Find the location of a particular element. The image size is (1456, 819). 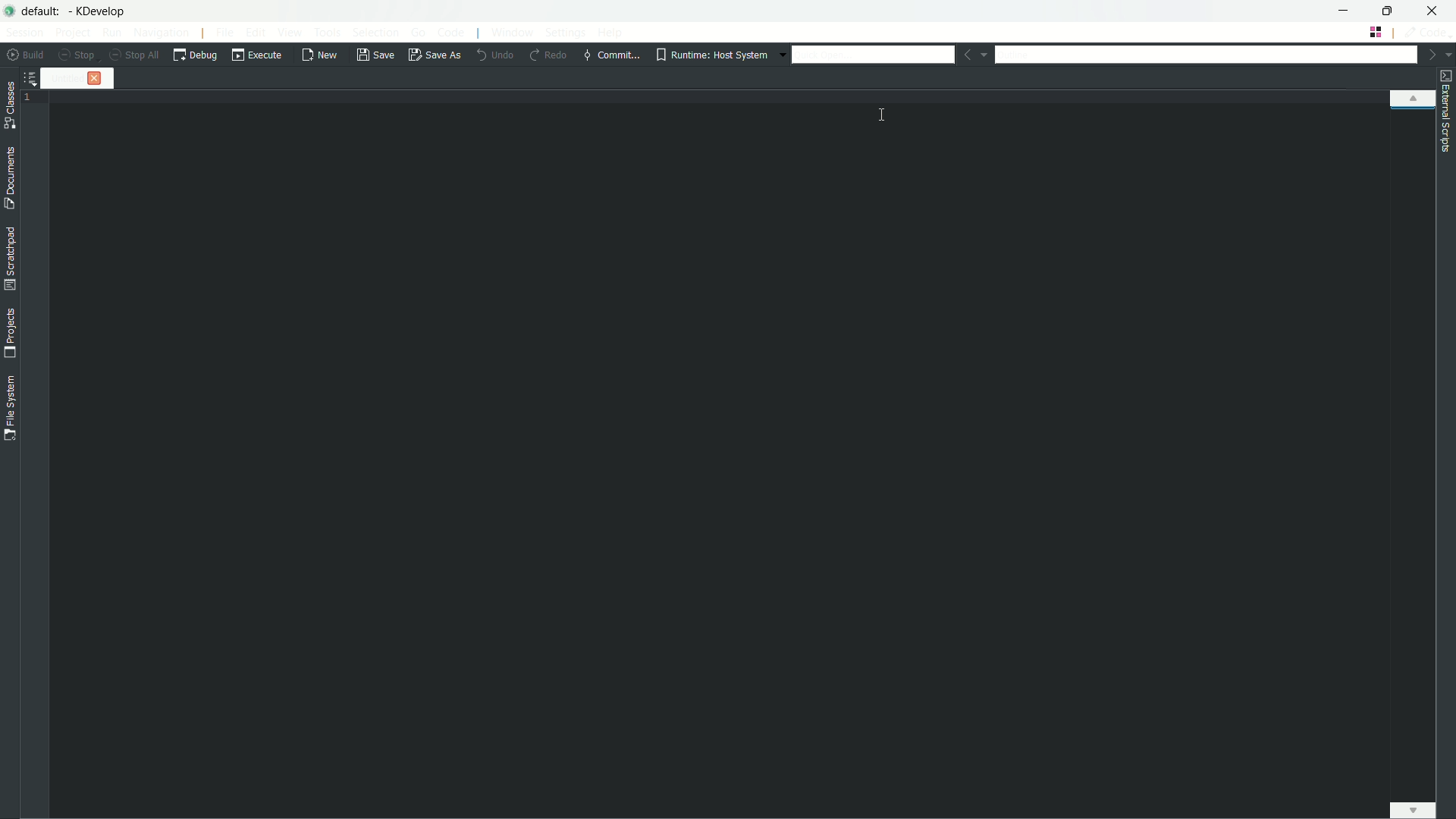

external scripts is located at coordinates (1446, 111).